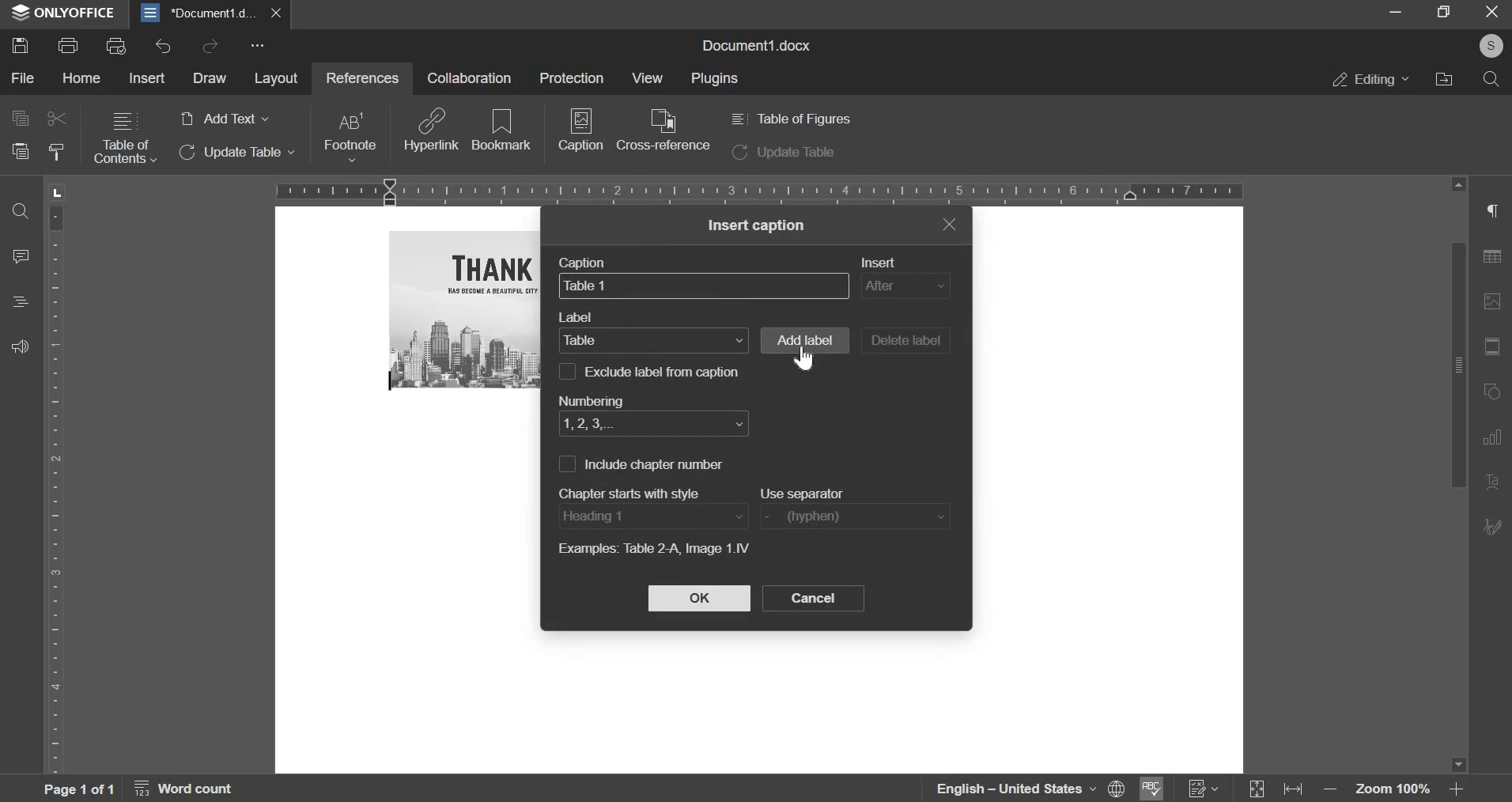  Describe the element at coordinates (24, 79) in the screenshot. I see `file` at that location.